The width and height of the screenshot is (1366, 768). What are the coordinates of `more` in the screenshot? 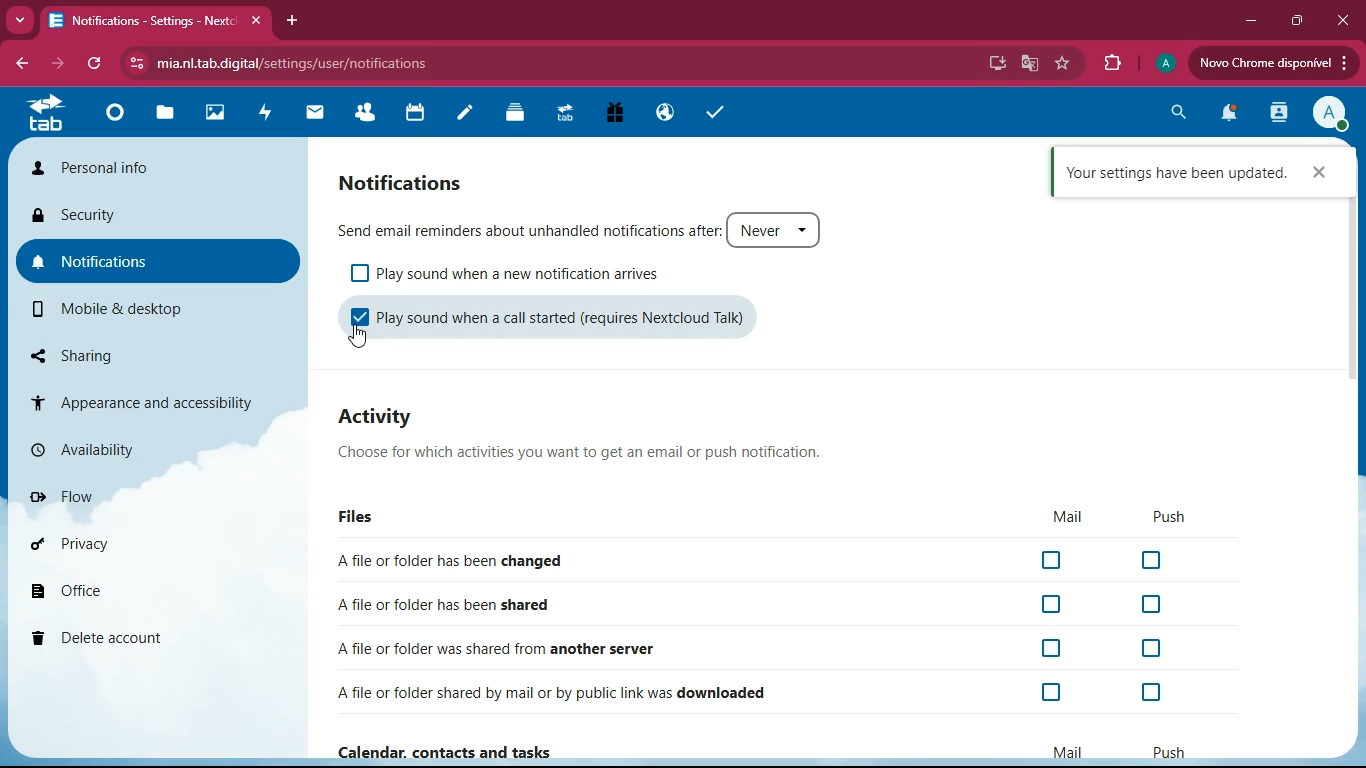 It's located at (18, 20).